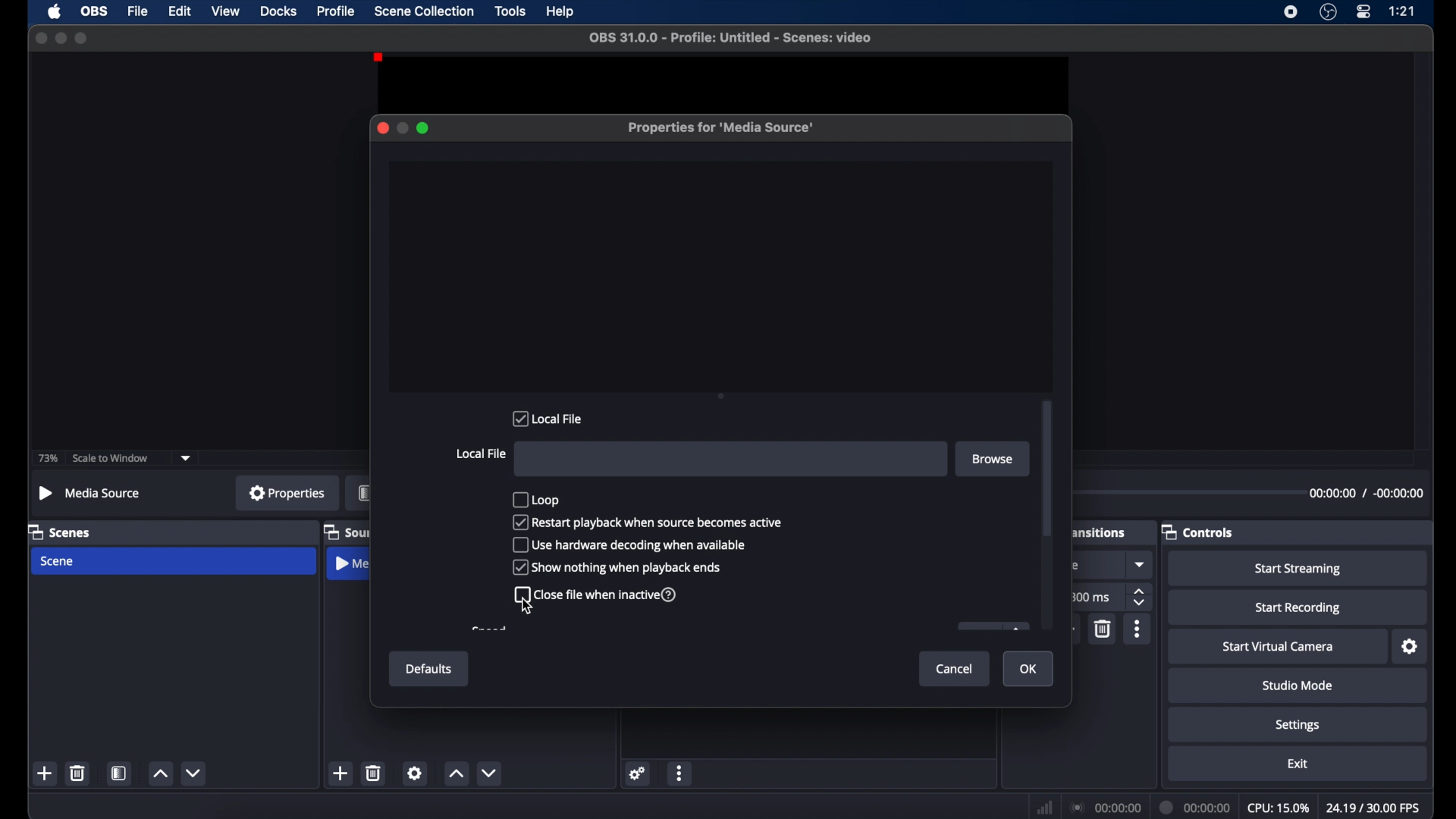  I want to click on obs, so click(95, 11).